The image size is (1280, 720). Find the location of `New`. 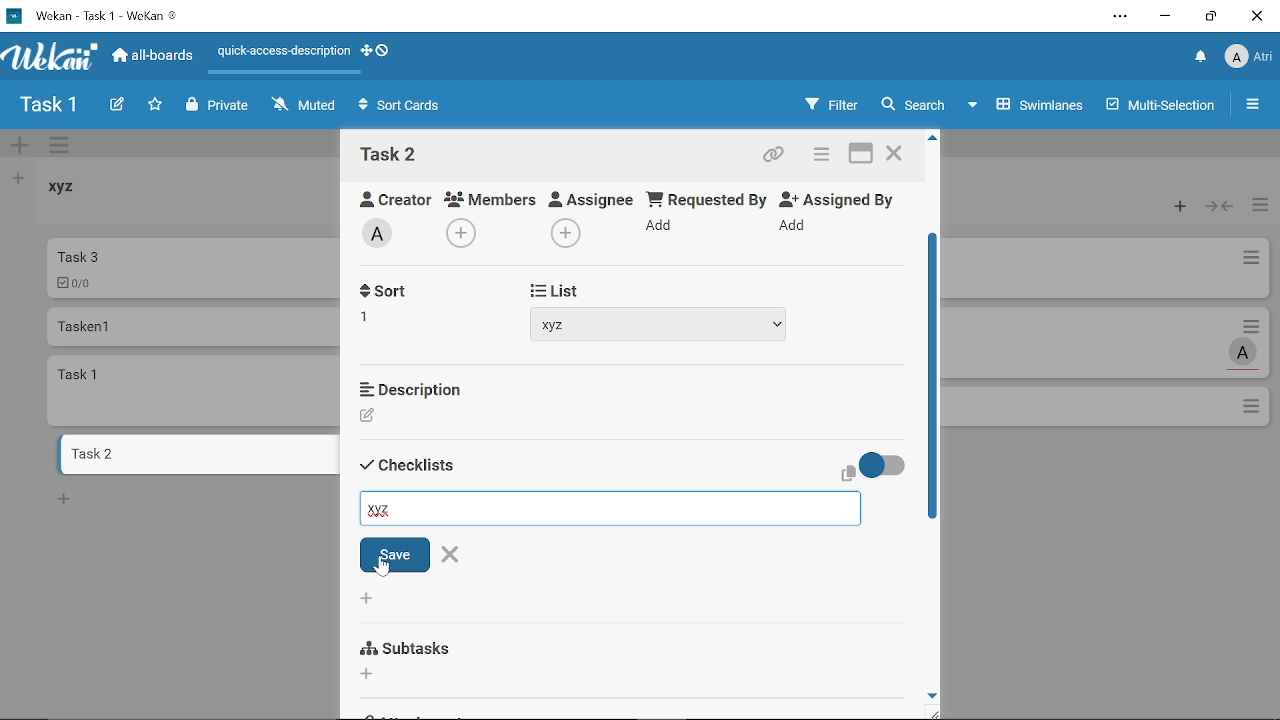

New is located at coordinates (64, 498).